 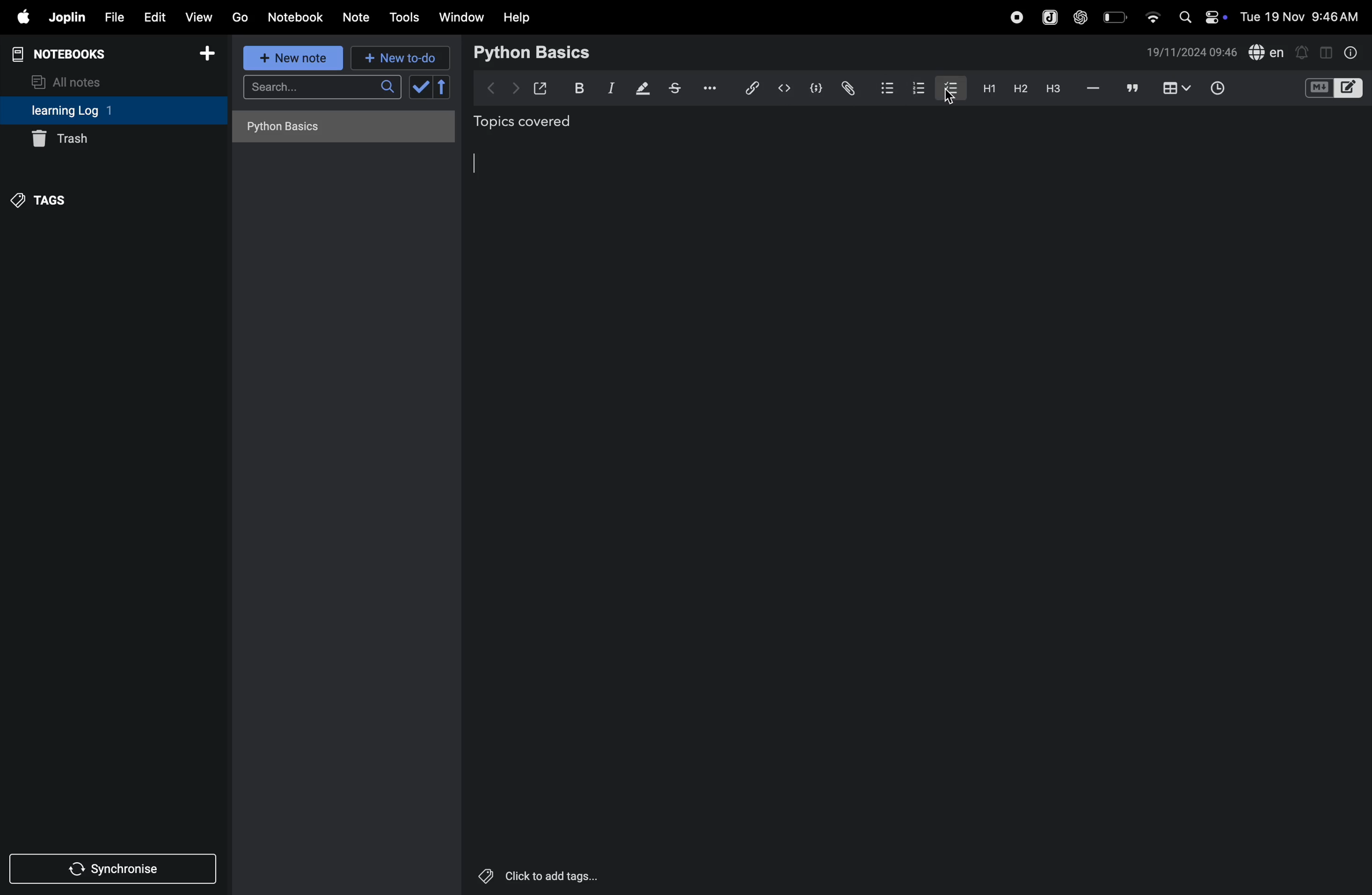 I want to click on search, so click(x=322, y=91).